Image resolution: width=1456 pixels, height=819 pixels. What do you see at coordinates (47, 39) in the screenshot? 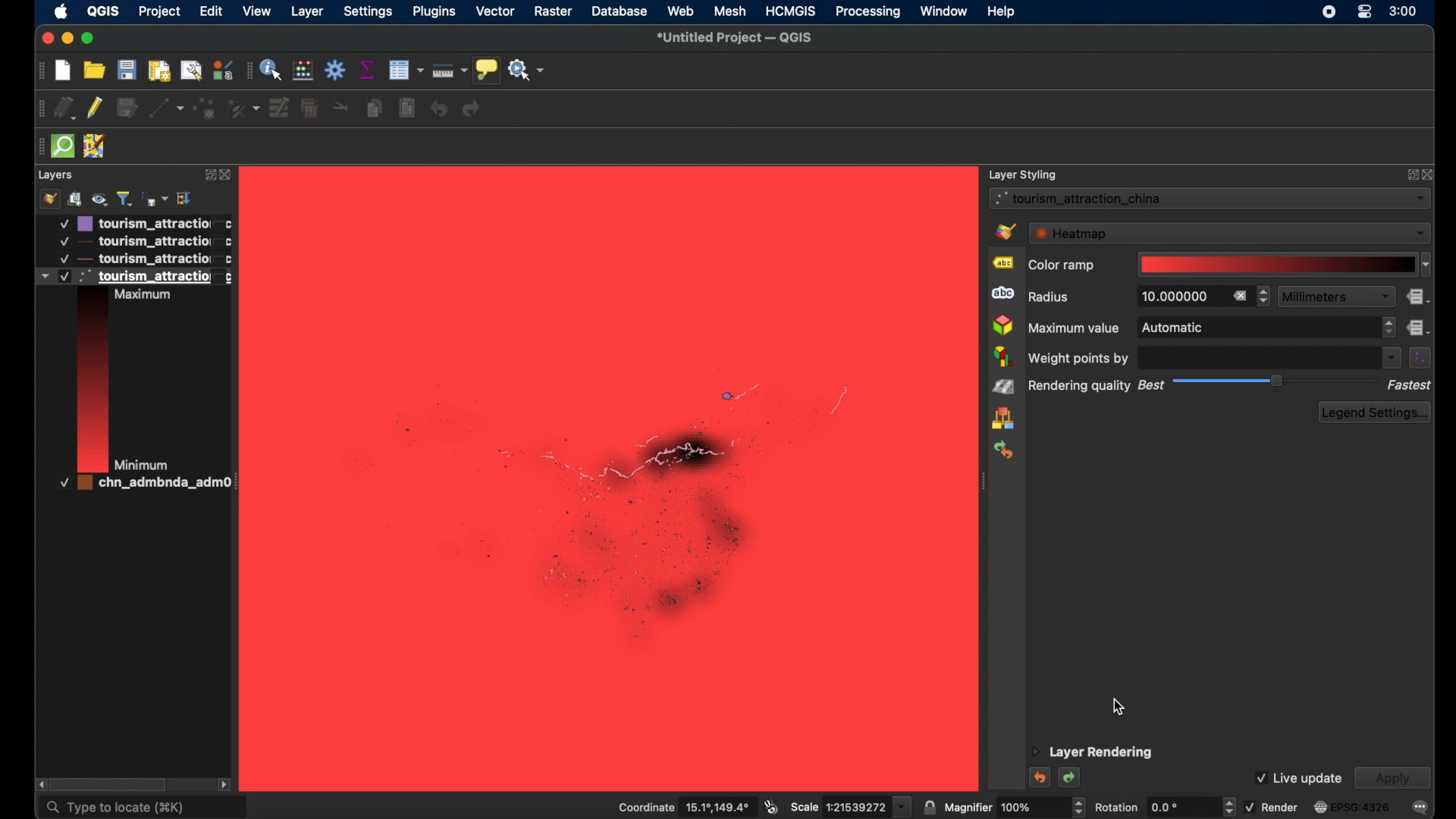
I see `close` at bounding box center [47, 39].